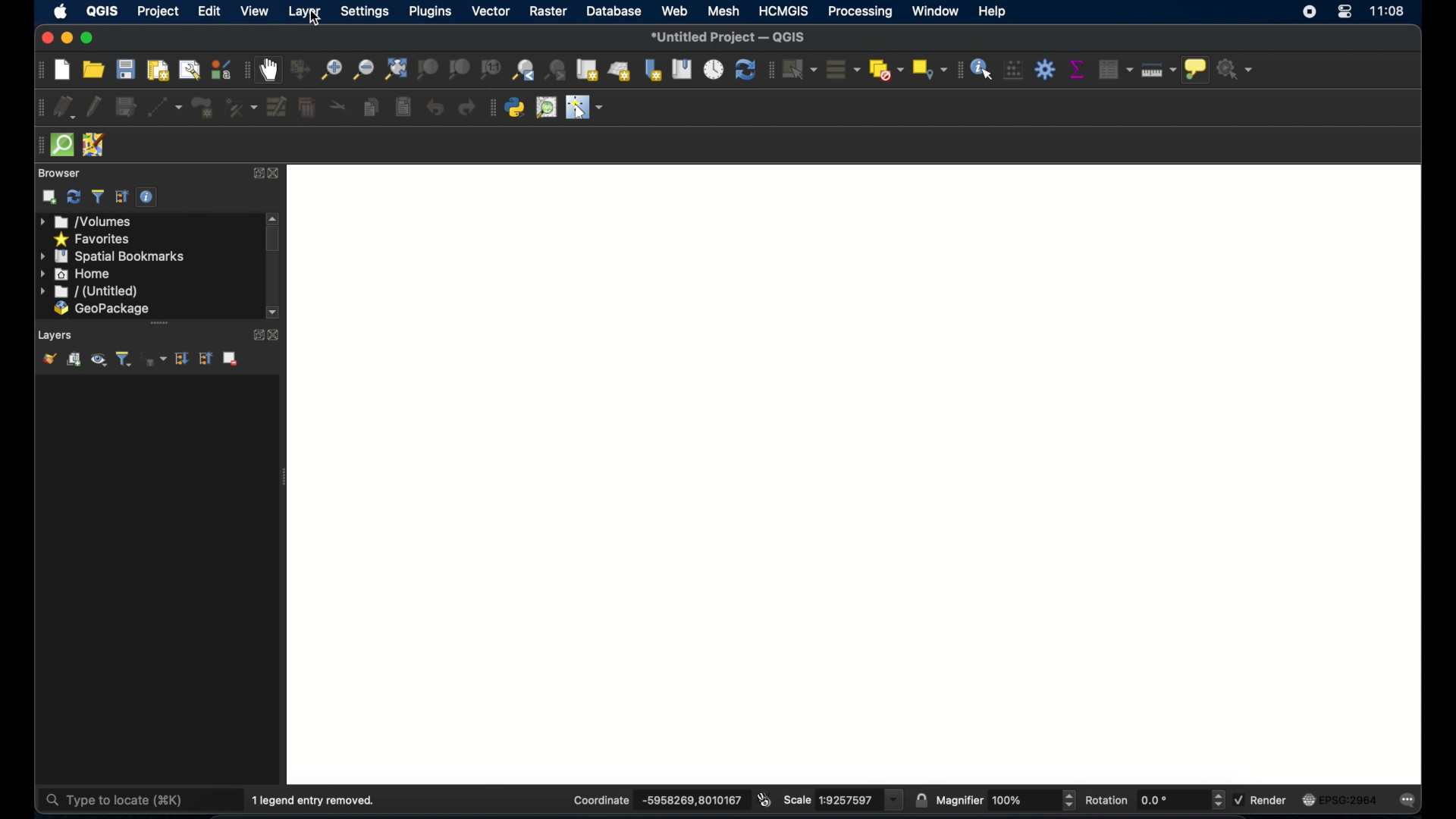  Describe the element at coordinates (1013, 69) in the screenshot. I see `open field calculator` at that location.